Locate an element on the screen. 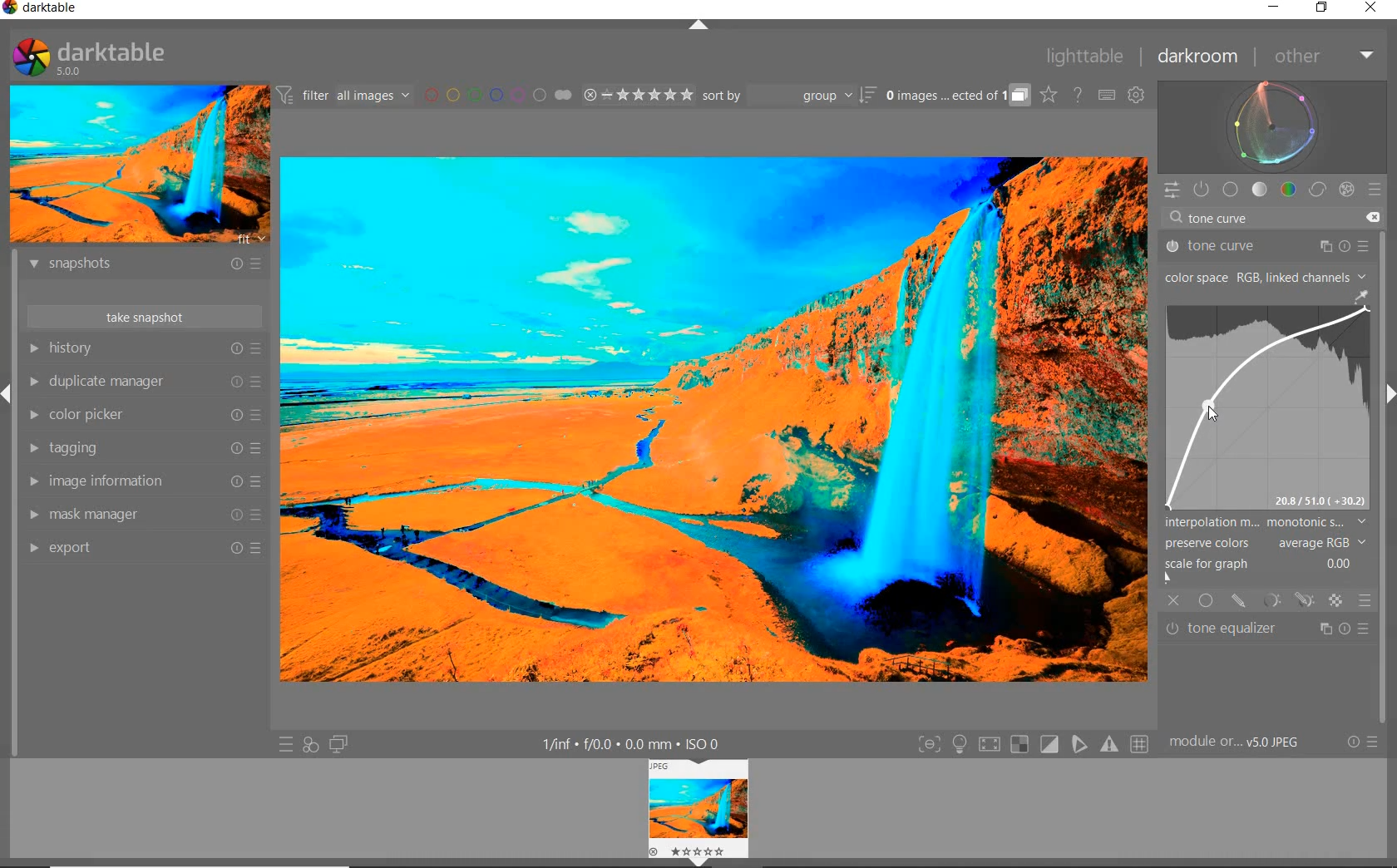  duplicate manager is located at coordinates (144, 381).